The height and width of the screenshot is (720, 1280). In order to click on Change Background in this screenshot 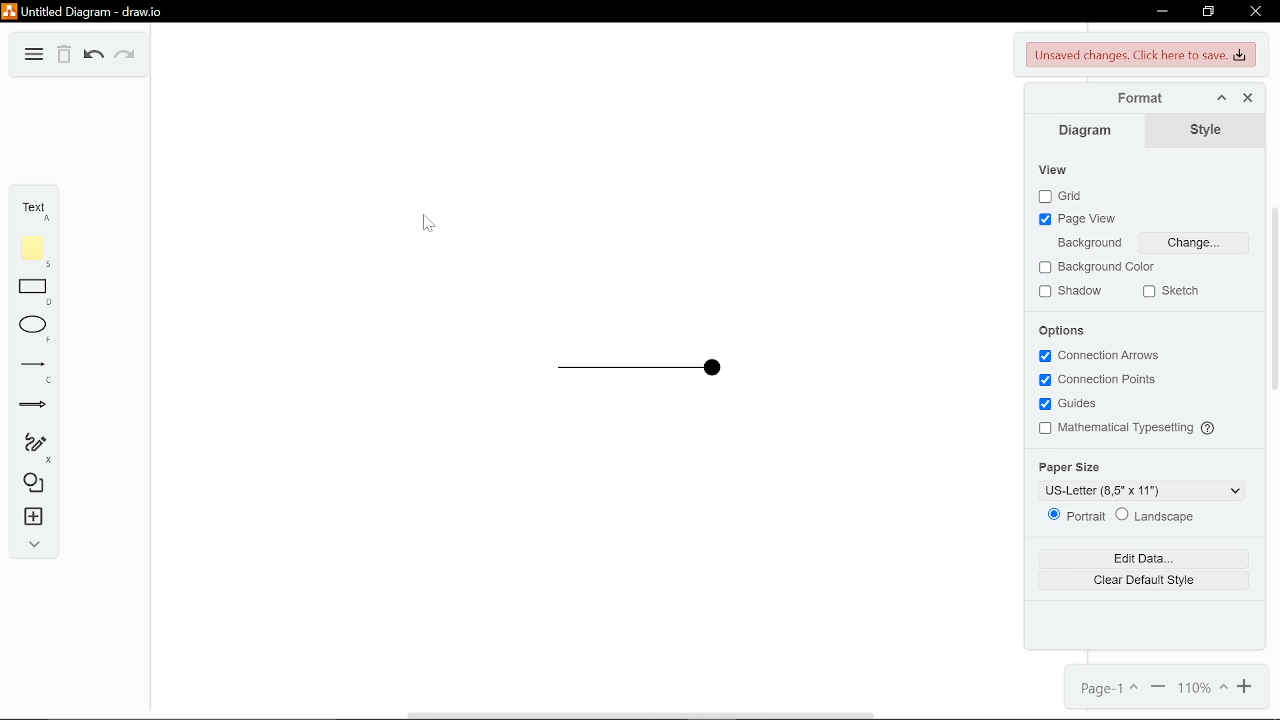, I will do `click(1194, 242)`.